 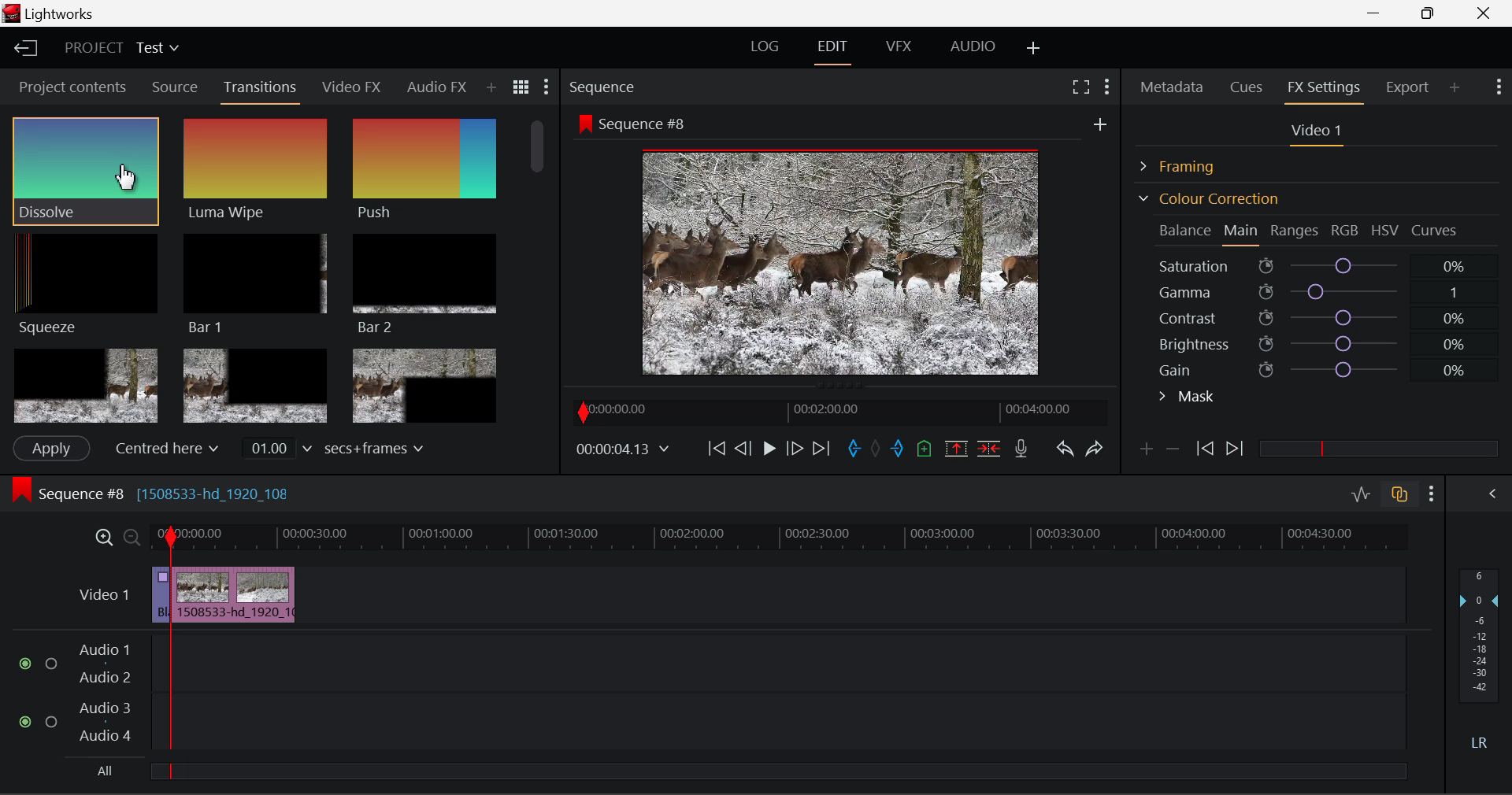 What do you see at coordinates (972, 46) in the screenshot?
I see `AUDIO Layout` at bounding box center [972, 46].